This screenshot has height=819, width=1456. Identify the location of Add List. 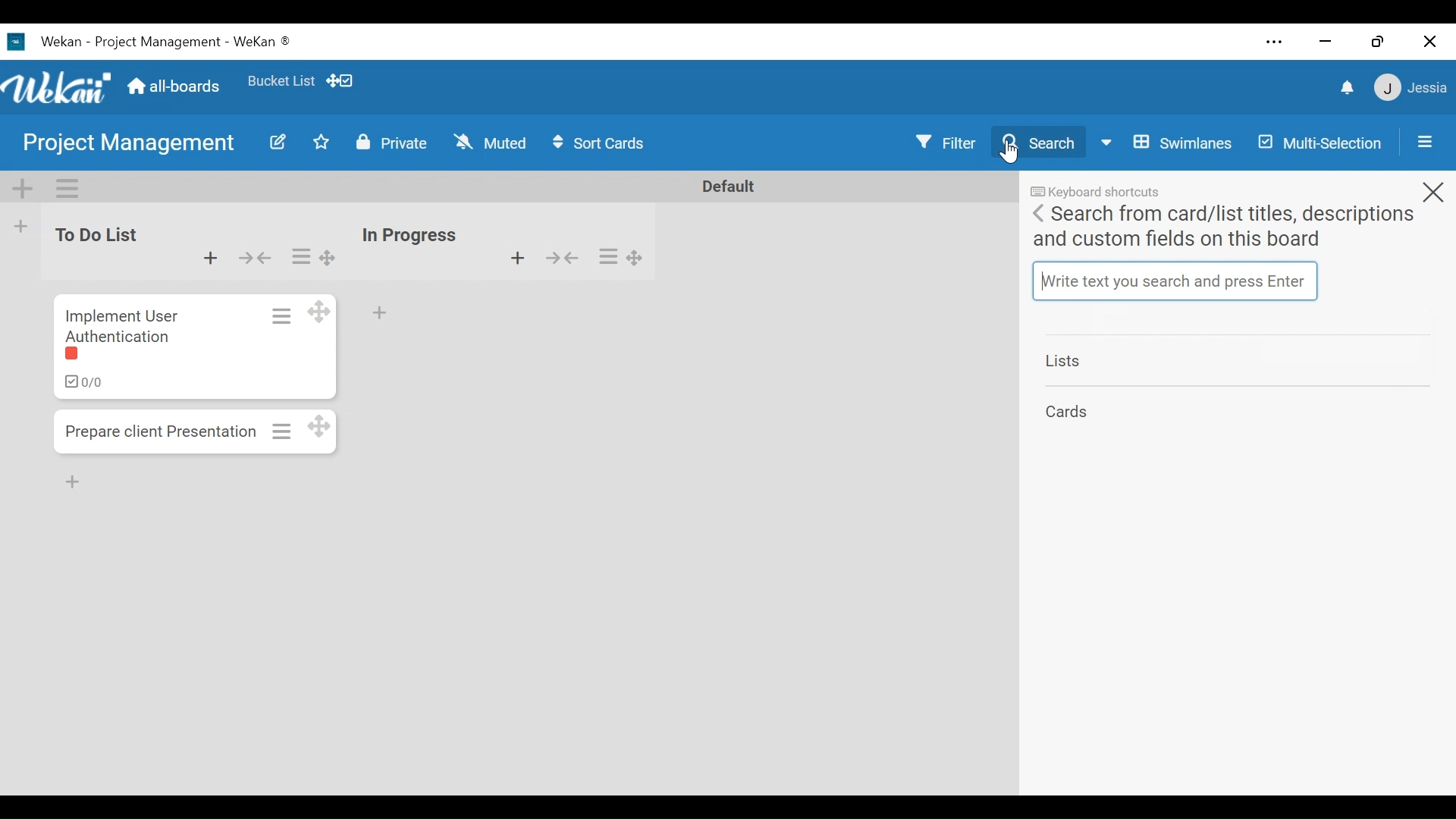
(24, 227).